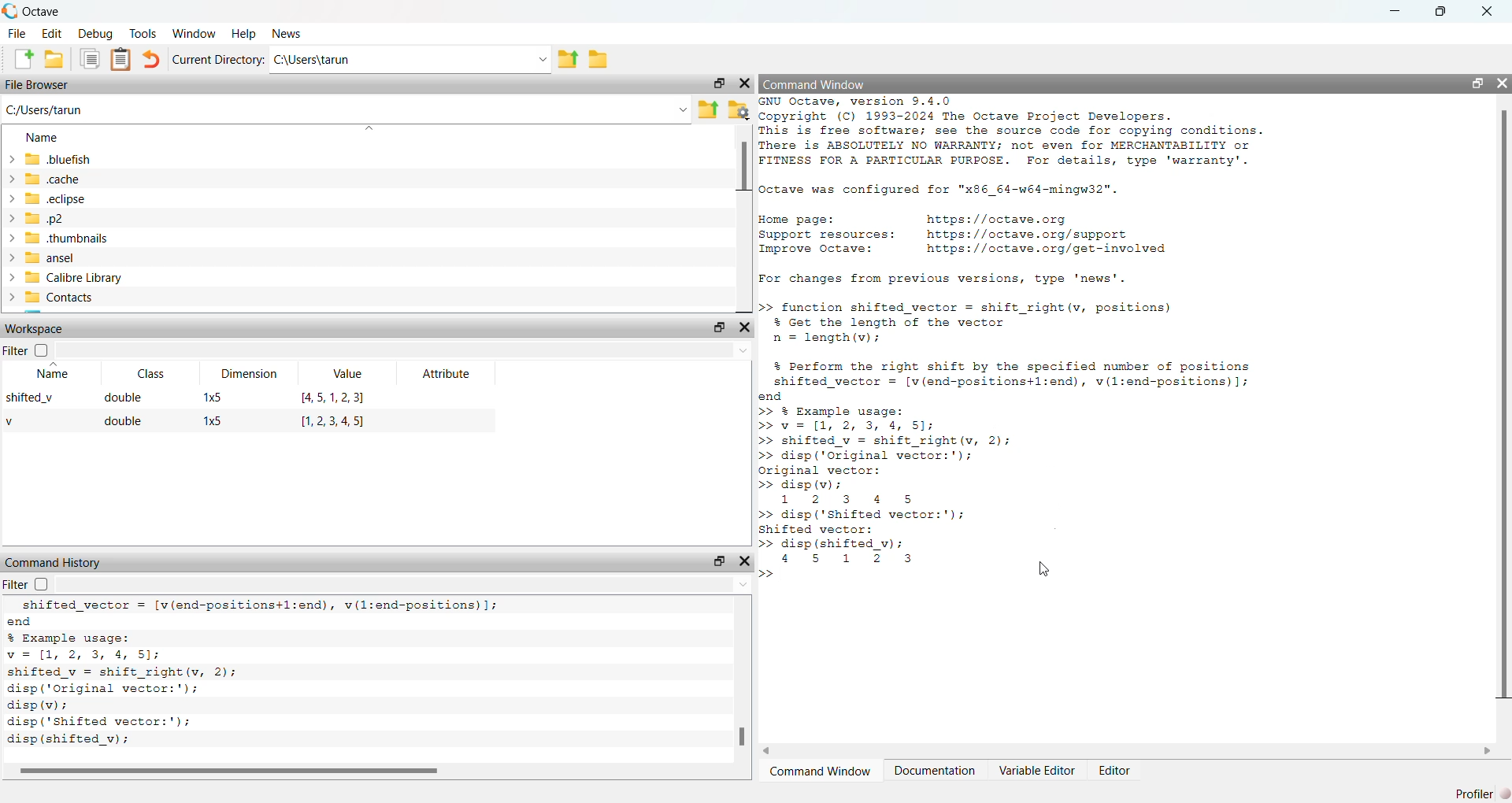 This screenshot has width=1512, height=803. I want to click on code for example usage, so click(886, 456).